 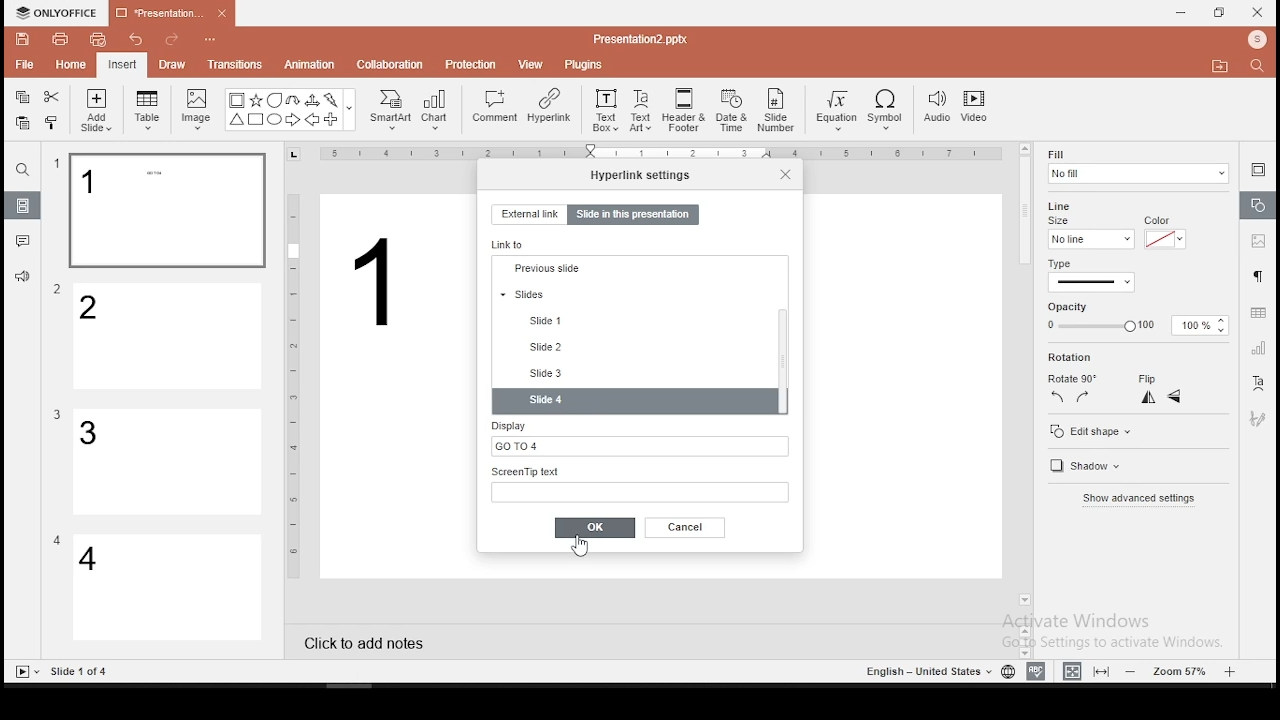 I want to click on line type, so click(x=1090, y=276).